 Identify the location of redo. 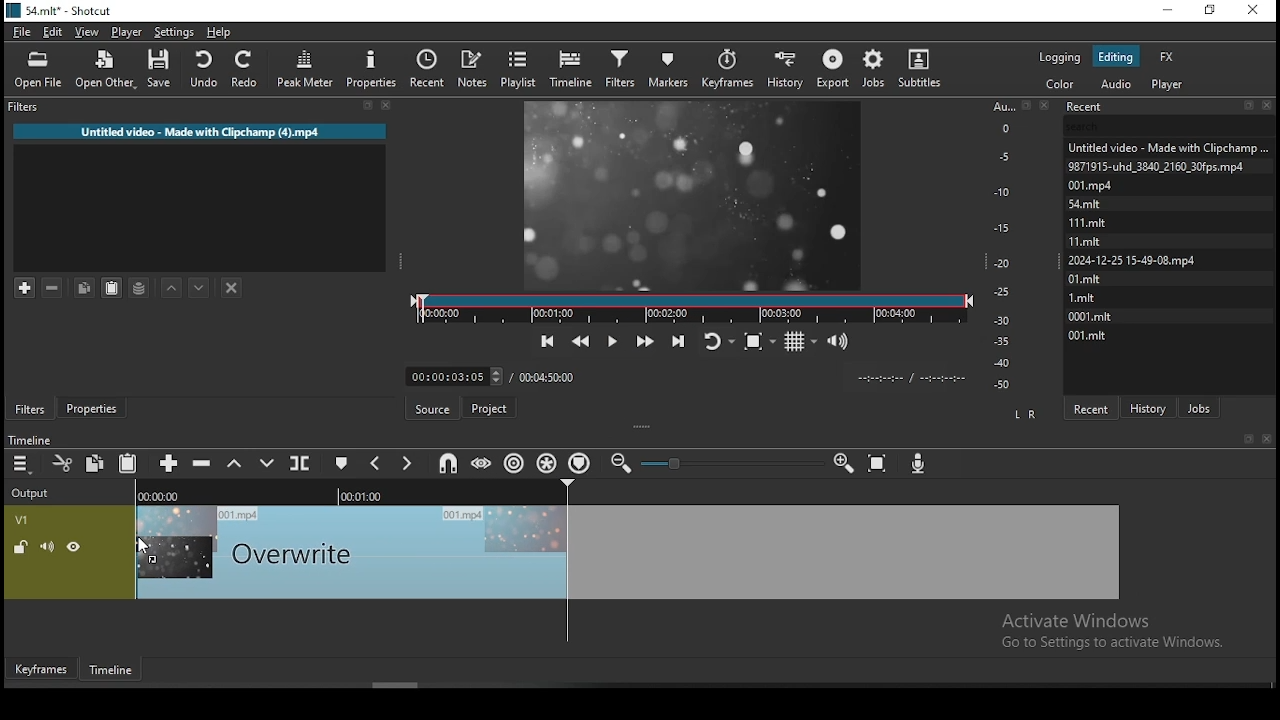
(247, 69).